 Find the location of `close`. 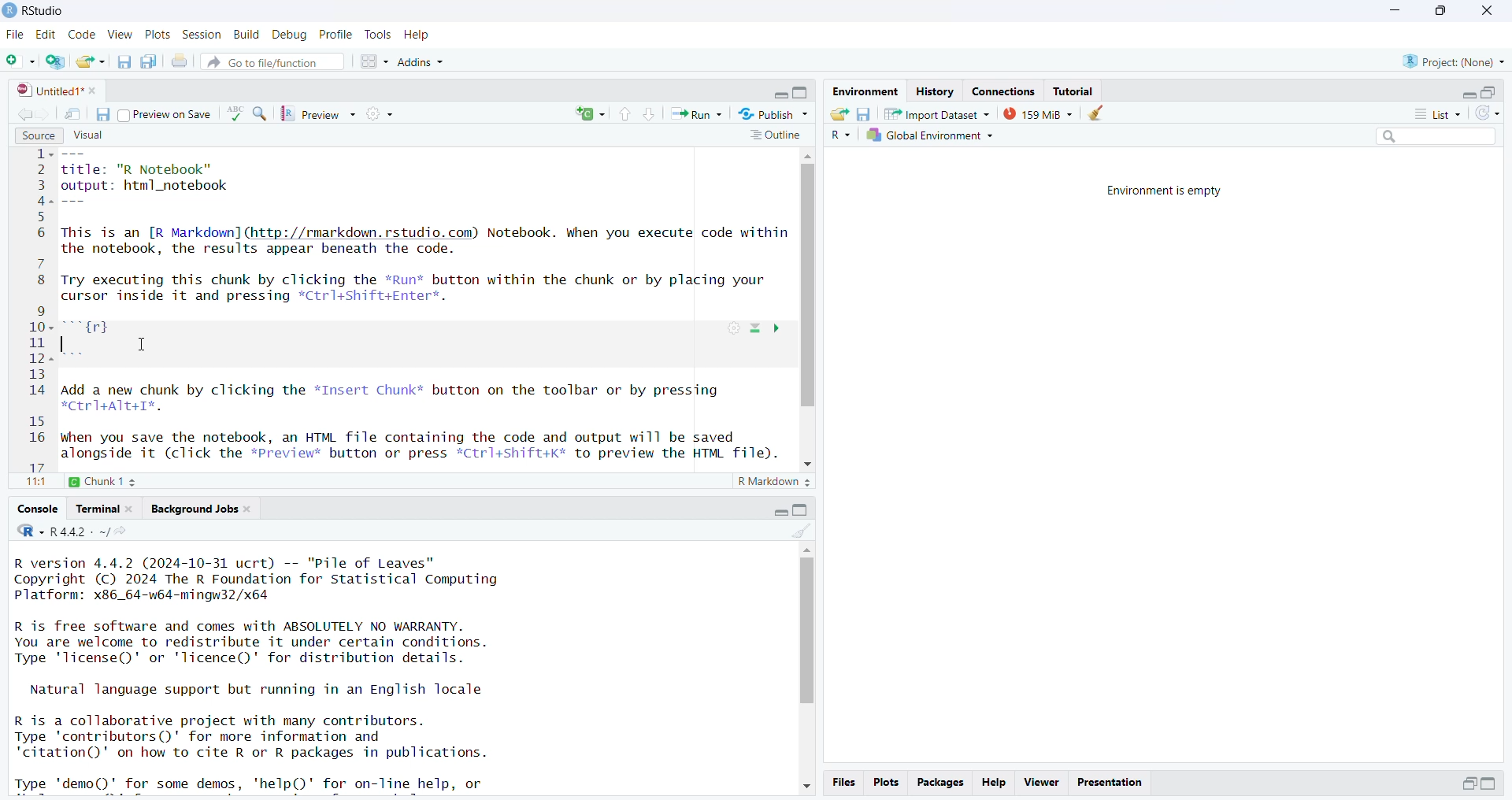

close is located at coordinates (1484, 10).